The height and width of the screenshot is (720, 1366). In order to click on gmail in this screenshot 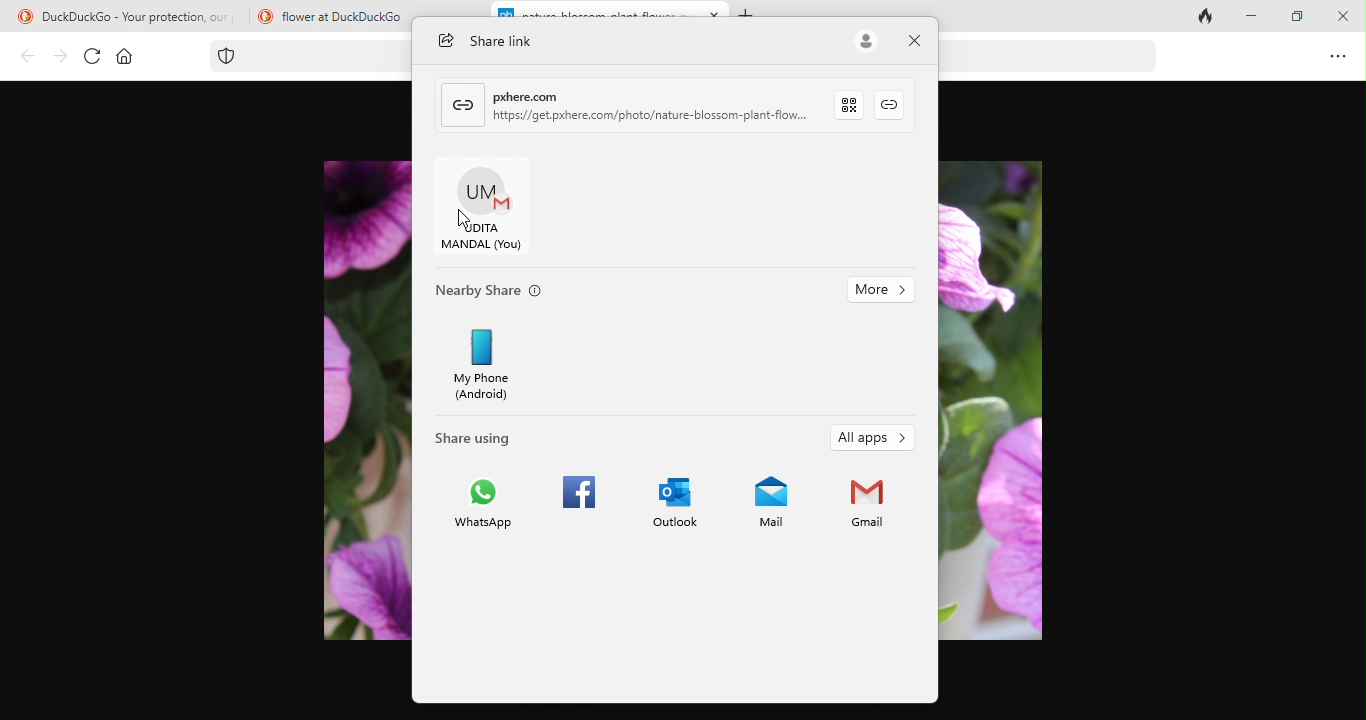, I will do `click(864, 510)`.